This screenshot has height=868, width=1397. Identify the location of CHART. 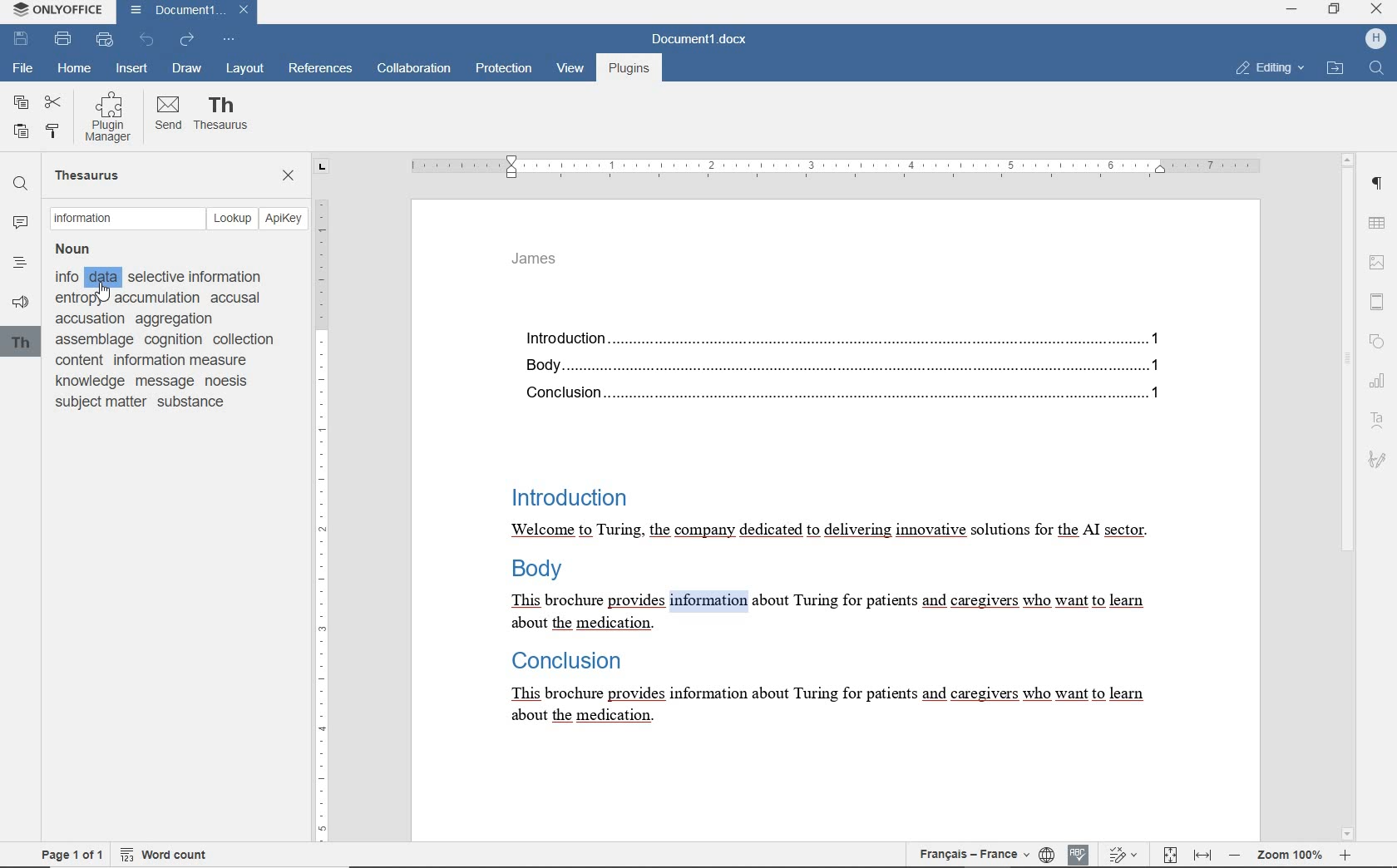
(1380, 381).